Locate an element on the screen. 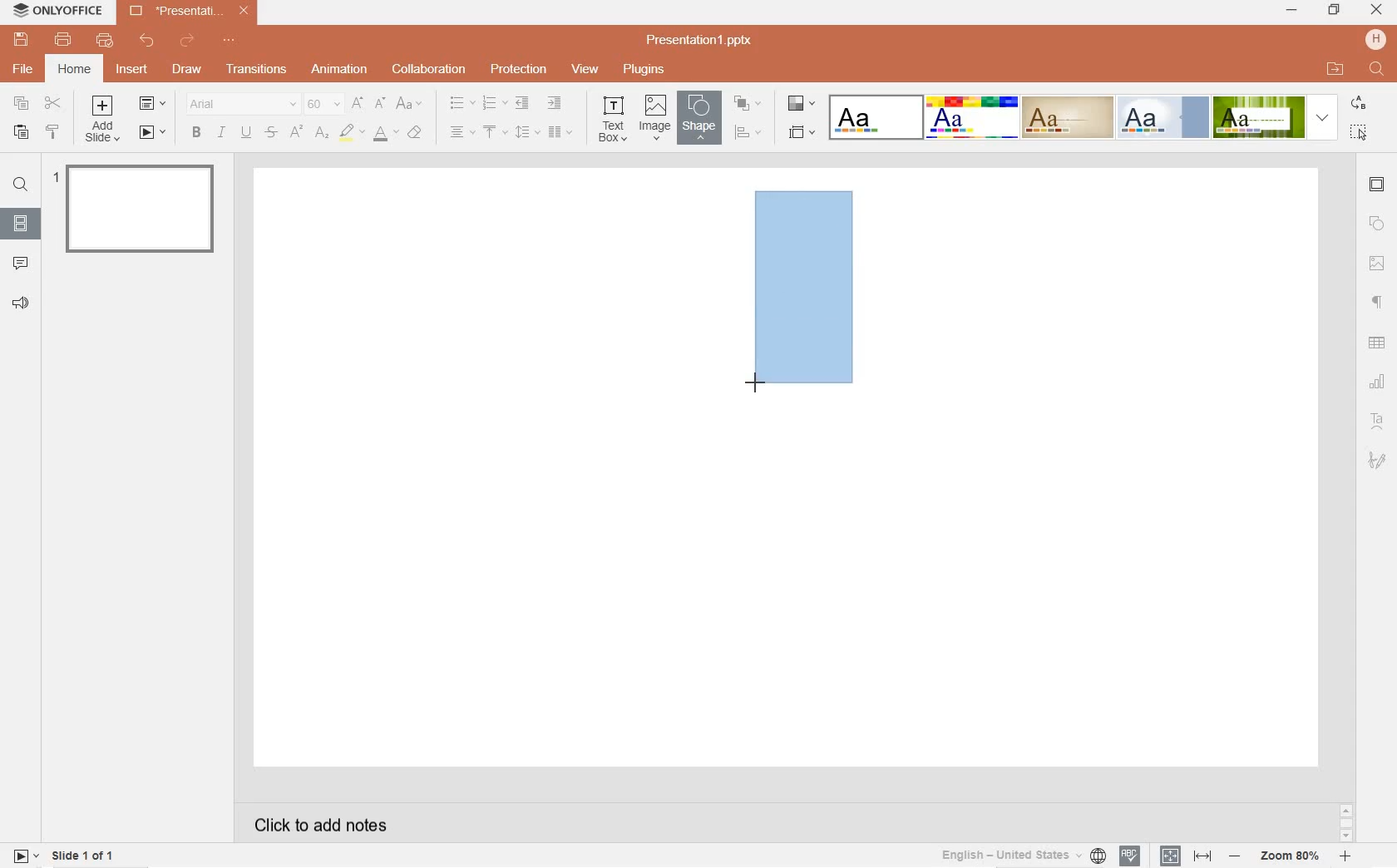 The image size is (1397, 868). strikethrough is located at coordinates (271, 133).